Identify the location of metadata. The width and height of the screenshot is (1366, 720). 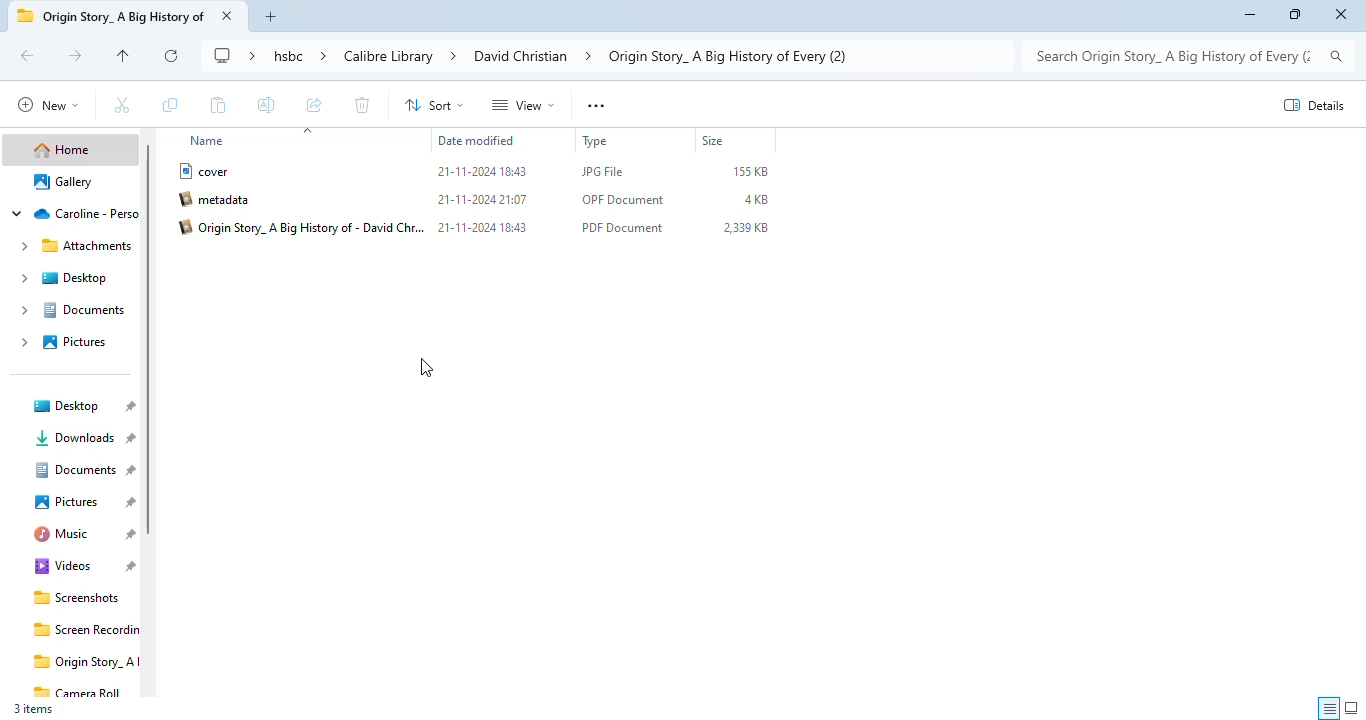
(218, 200).